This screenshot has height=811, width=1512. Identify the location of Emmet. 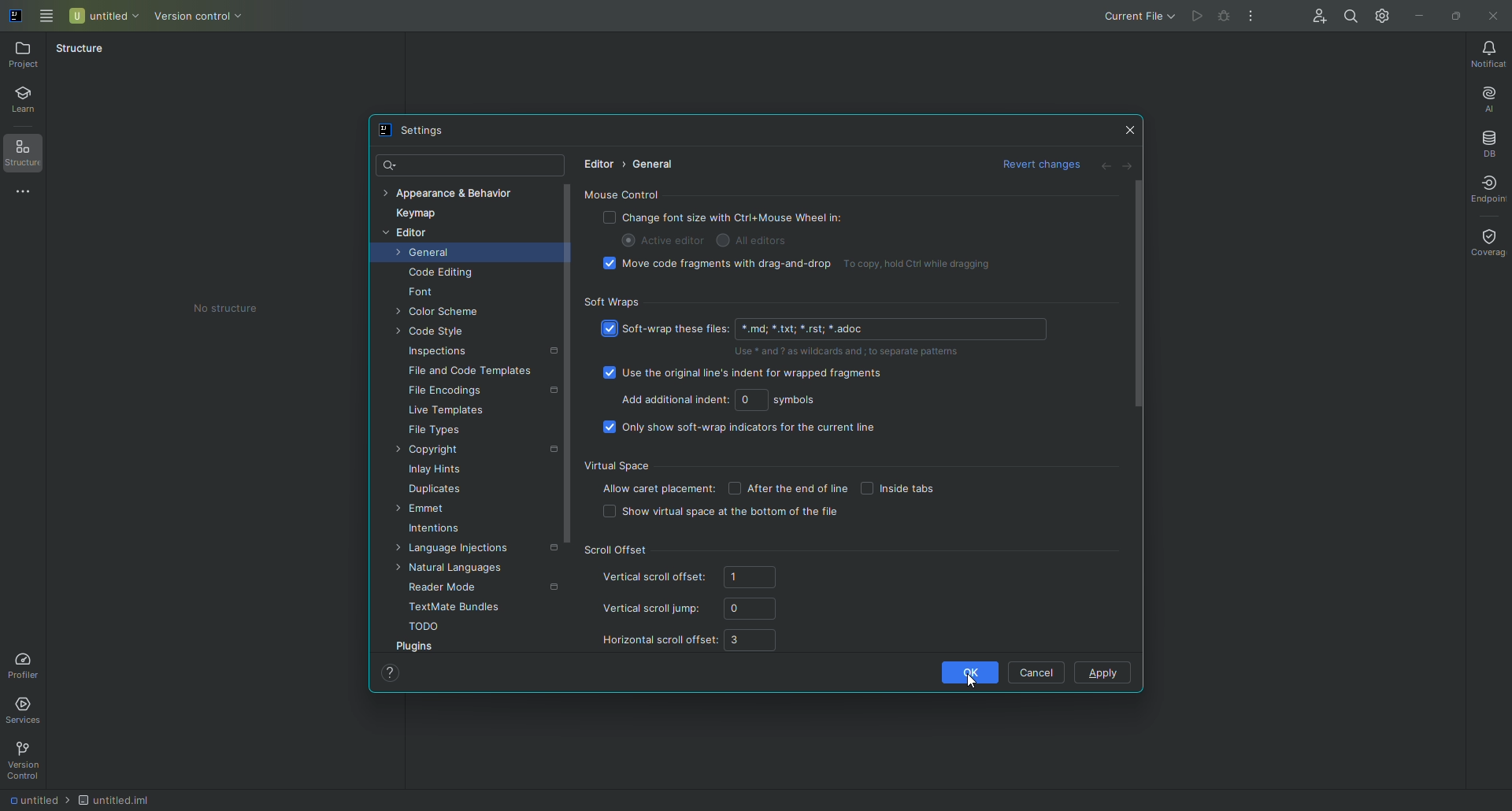
(424, 510).